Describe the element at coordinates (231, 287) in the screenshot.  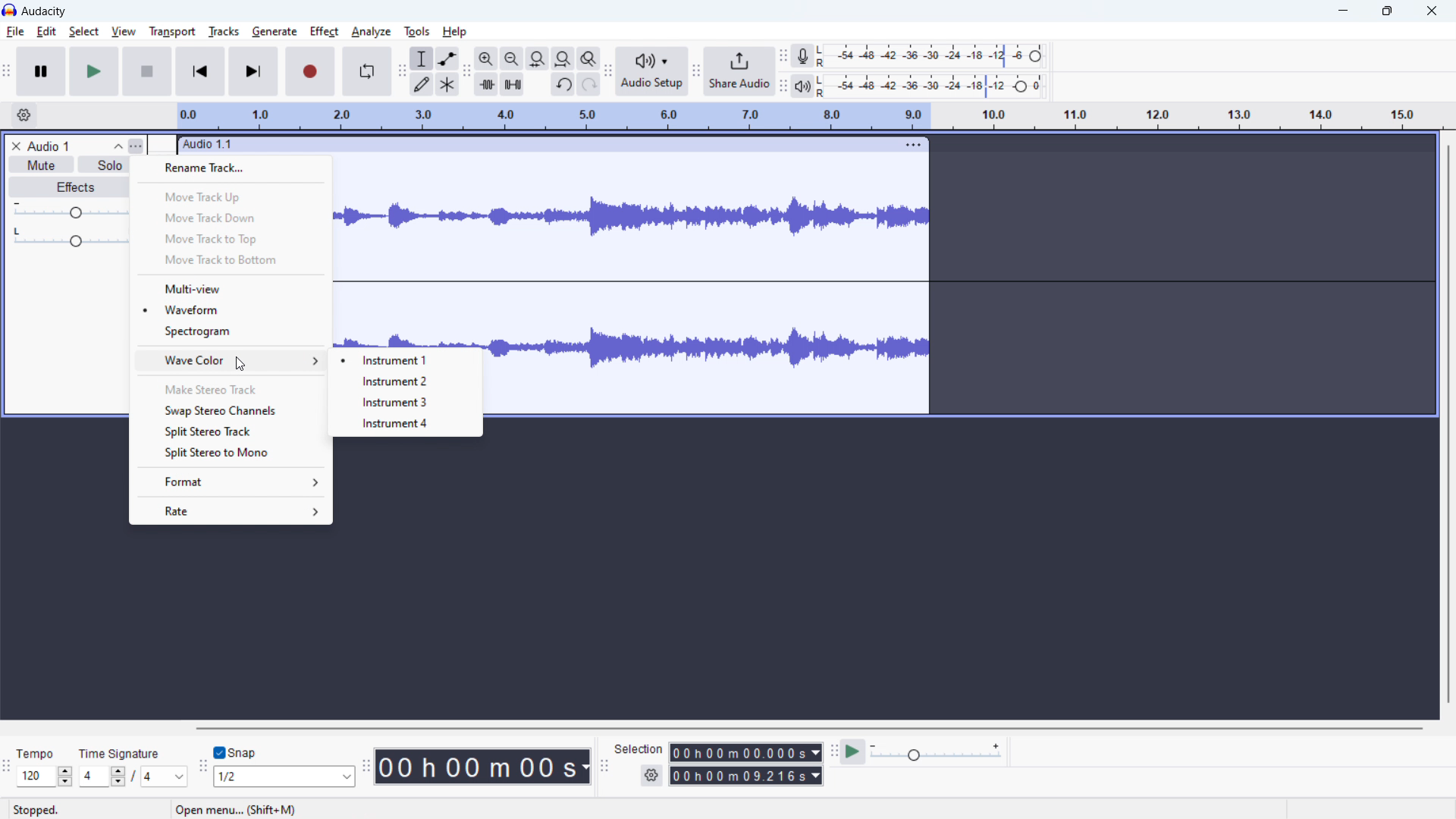
I see `multi-view` at that location.